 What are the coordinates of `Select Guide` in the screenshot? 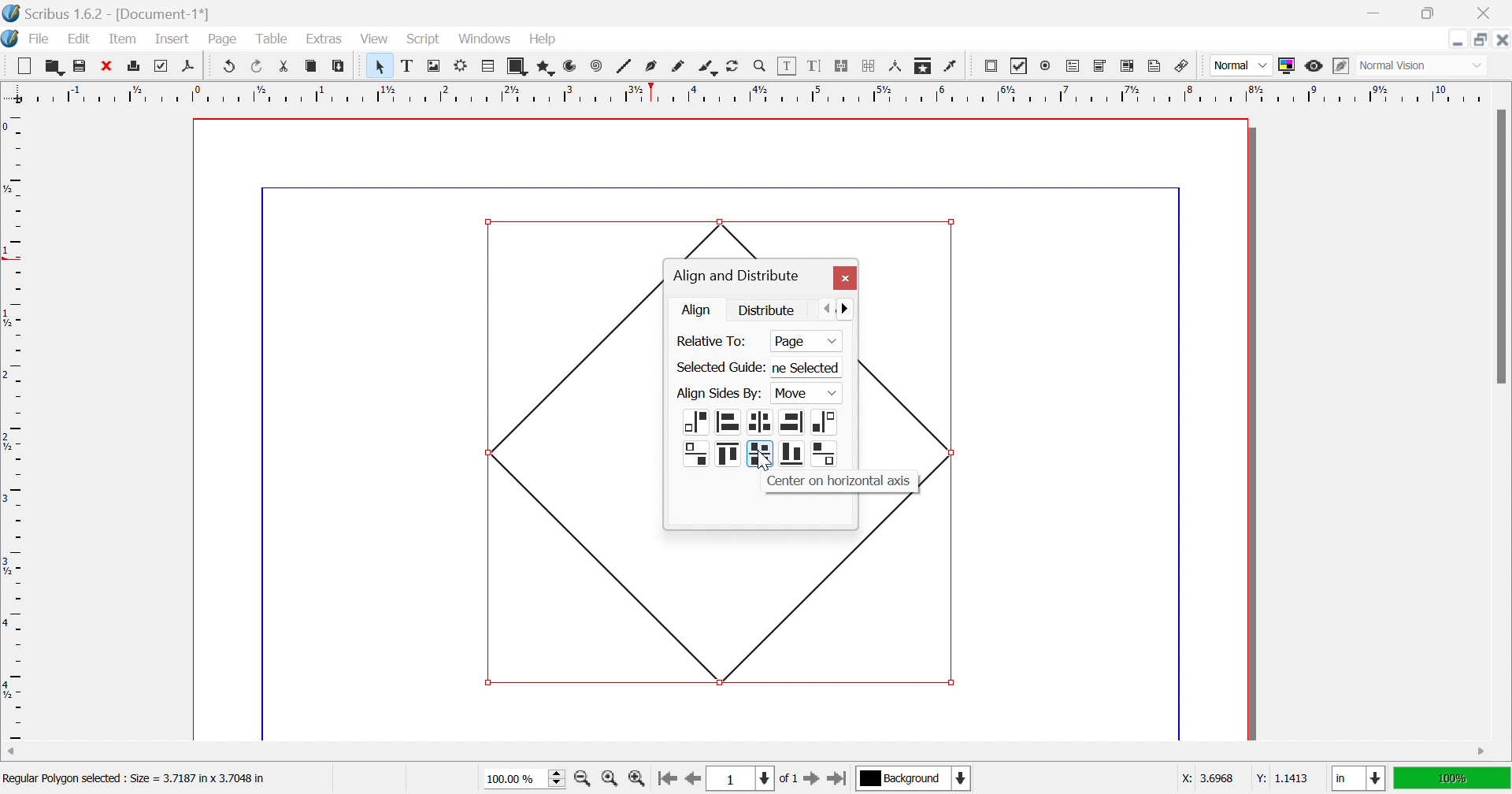 It's located at (719, 368).